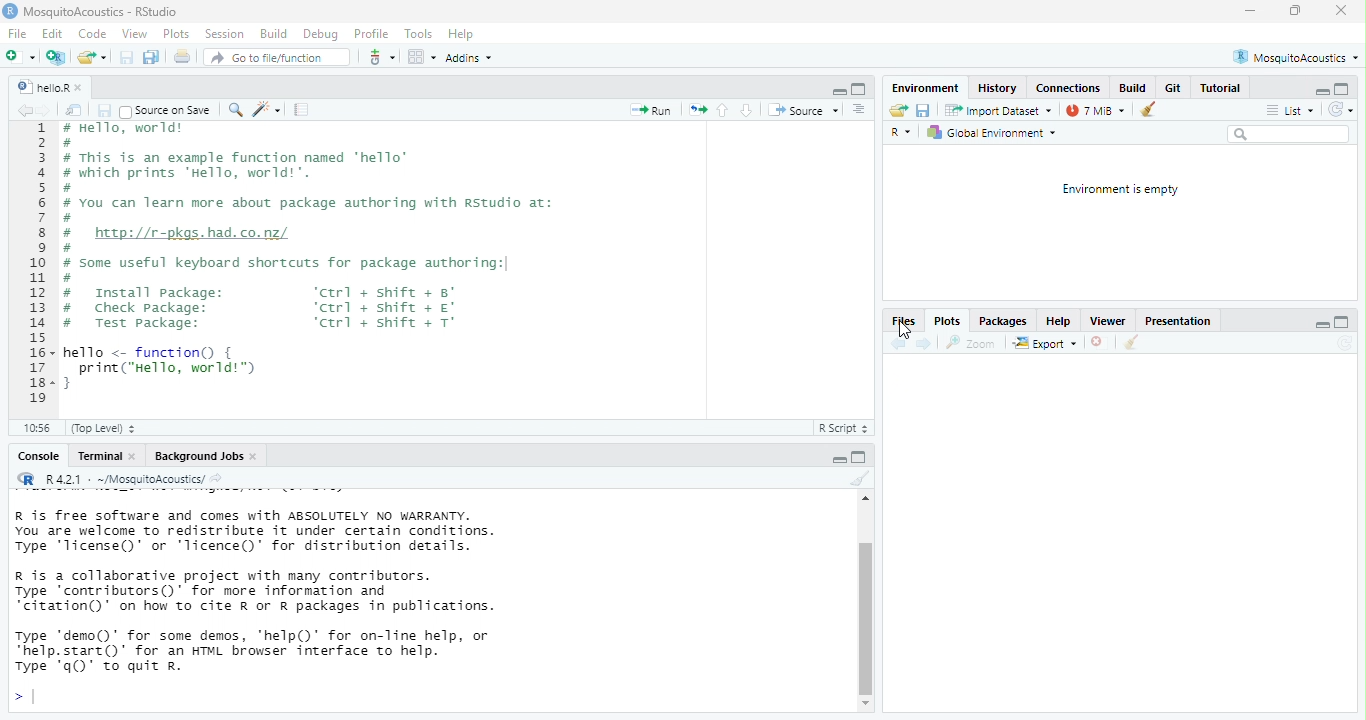 Image resolution: width=1366 pixels, height=720 pixels. I want to click on vertical scroll bar, so click(864, 611).